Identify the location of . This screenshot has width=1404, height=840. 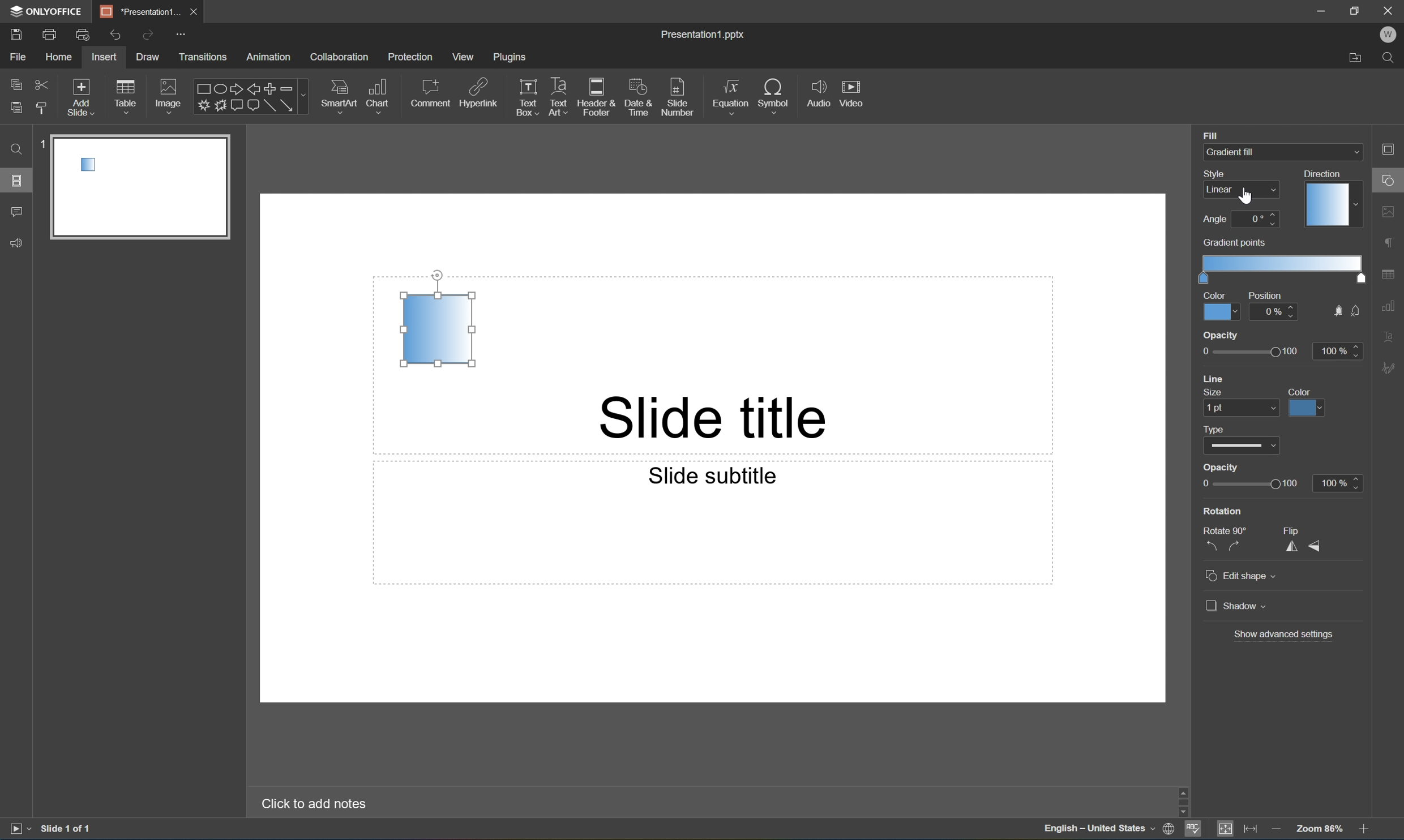
(252, 106).